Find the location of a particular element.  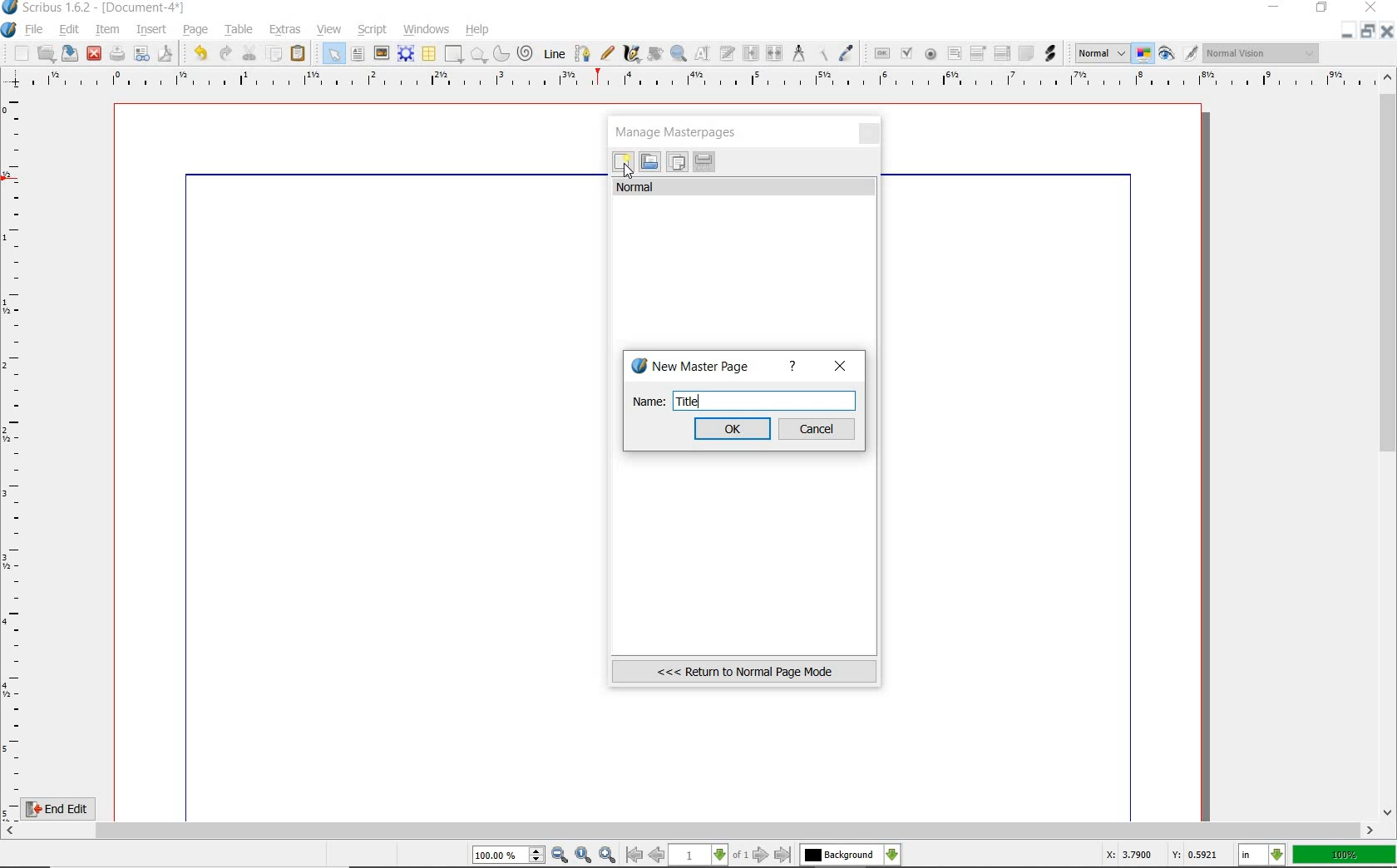

preflight verifier is located at coordinates (142, 55).